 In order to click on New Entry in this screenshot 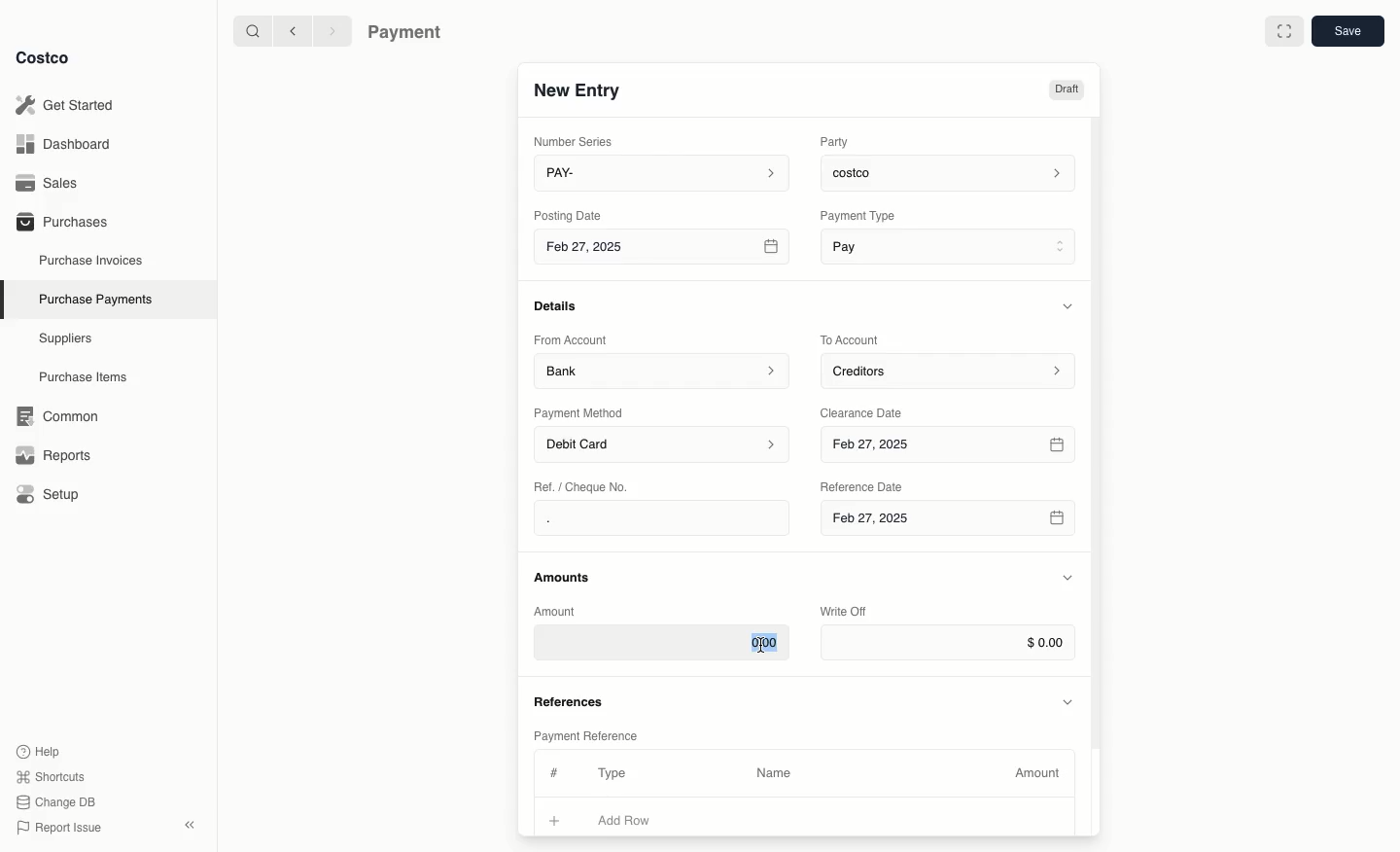, I will do `click(578, 89)`.